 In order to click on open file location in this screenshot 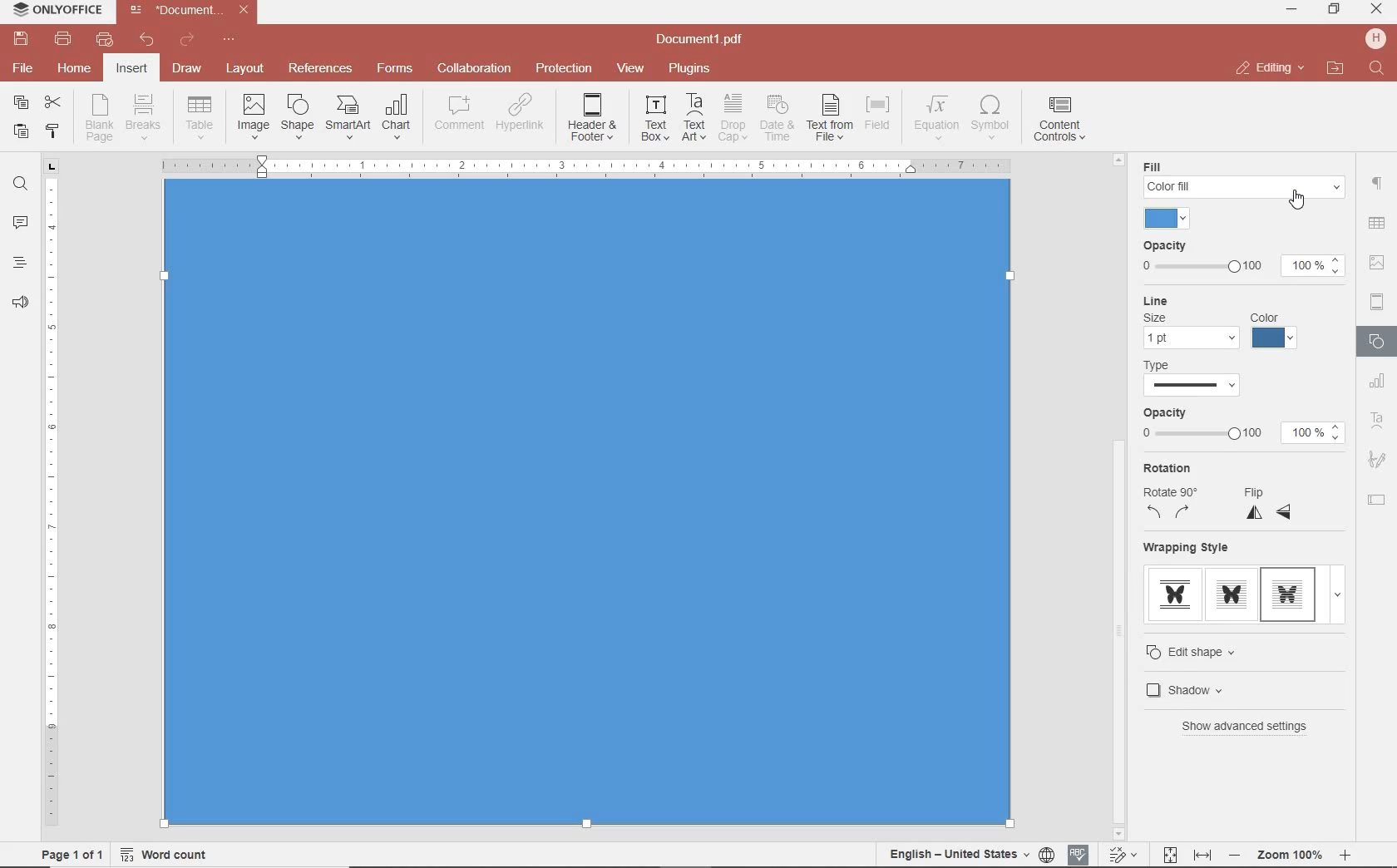, I will do `click(1335, 69)`.